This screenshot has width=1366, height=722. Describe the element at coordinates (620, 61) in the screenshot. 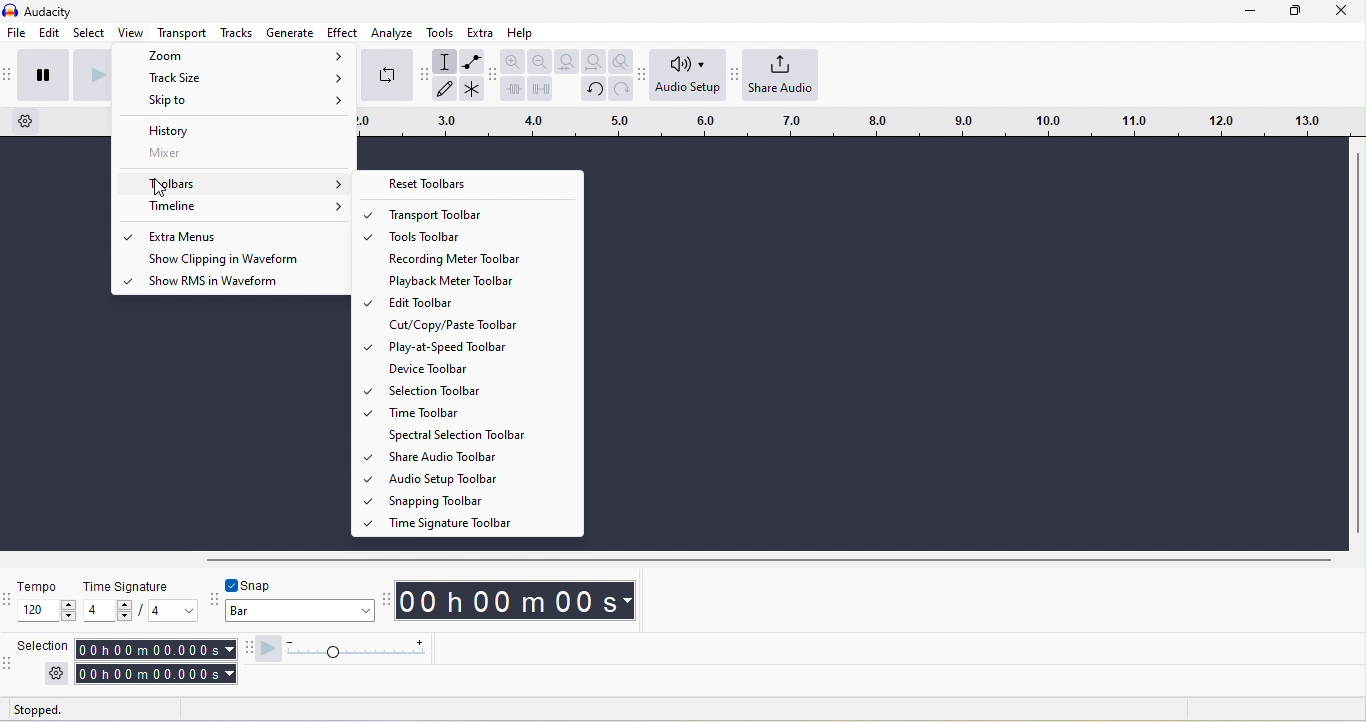

I see `zoom tool` at that location.